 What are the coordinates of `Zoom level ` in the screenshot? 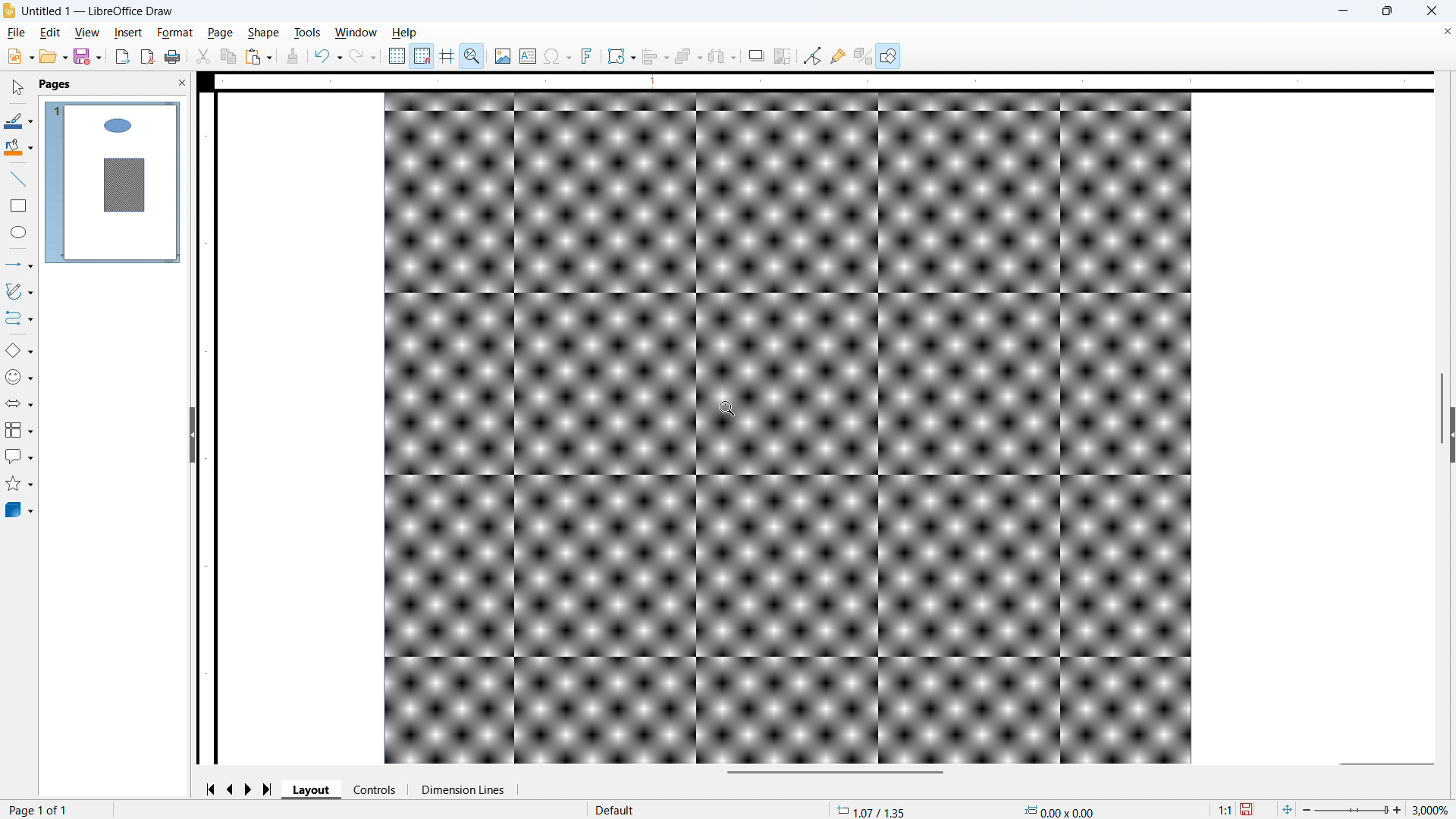 It's located at (1433, 809).